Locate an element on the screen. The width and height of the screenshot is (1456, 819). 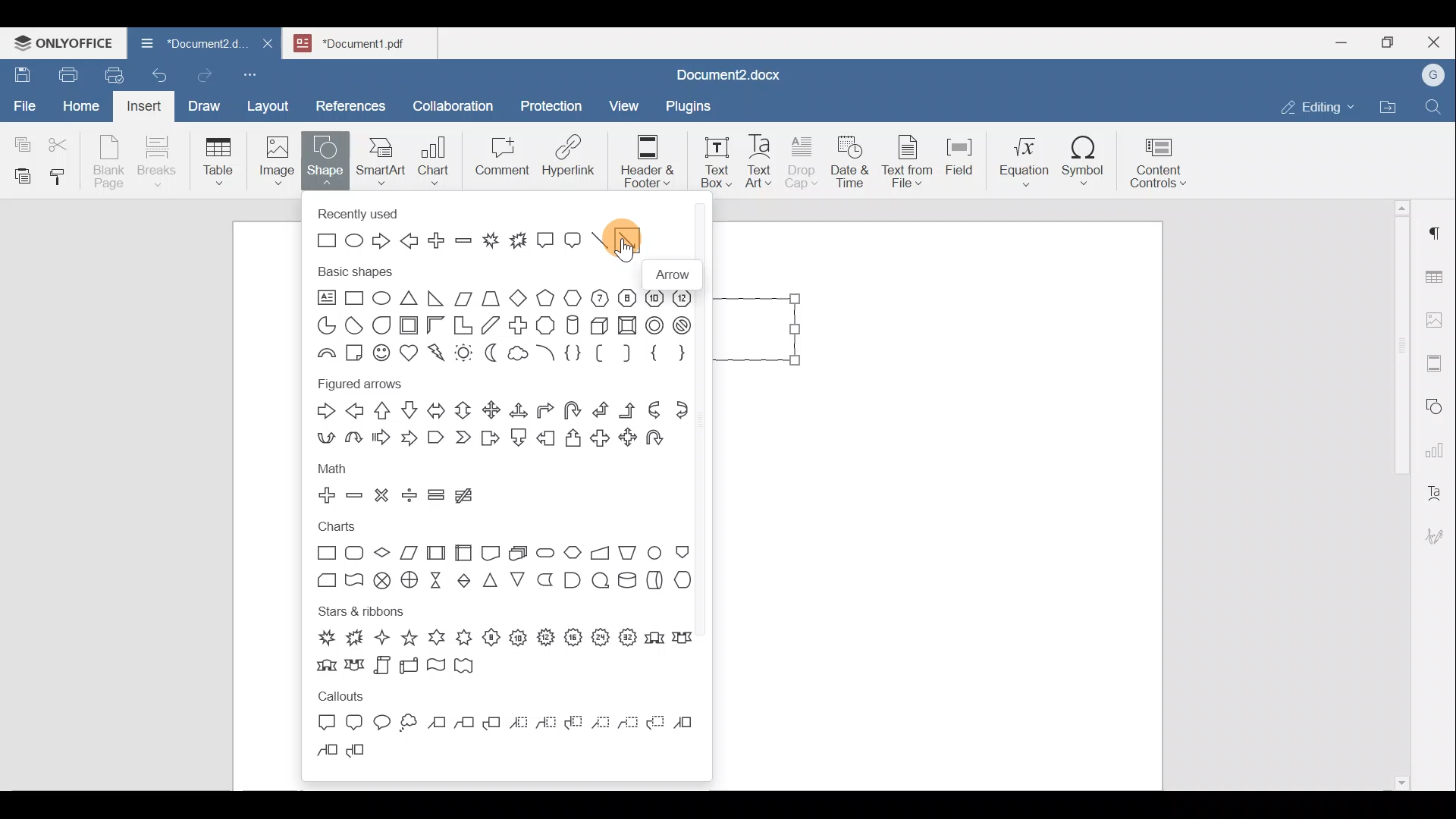
Text Art is located at coordinates (760, 162).